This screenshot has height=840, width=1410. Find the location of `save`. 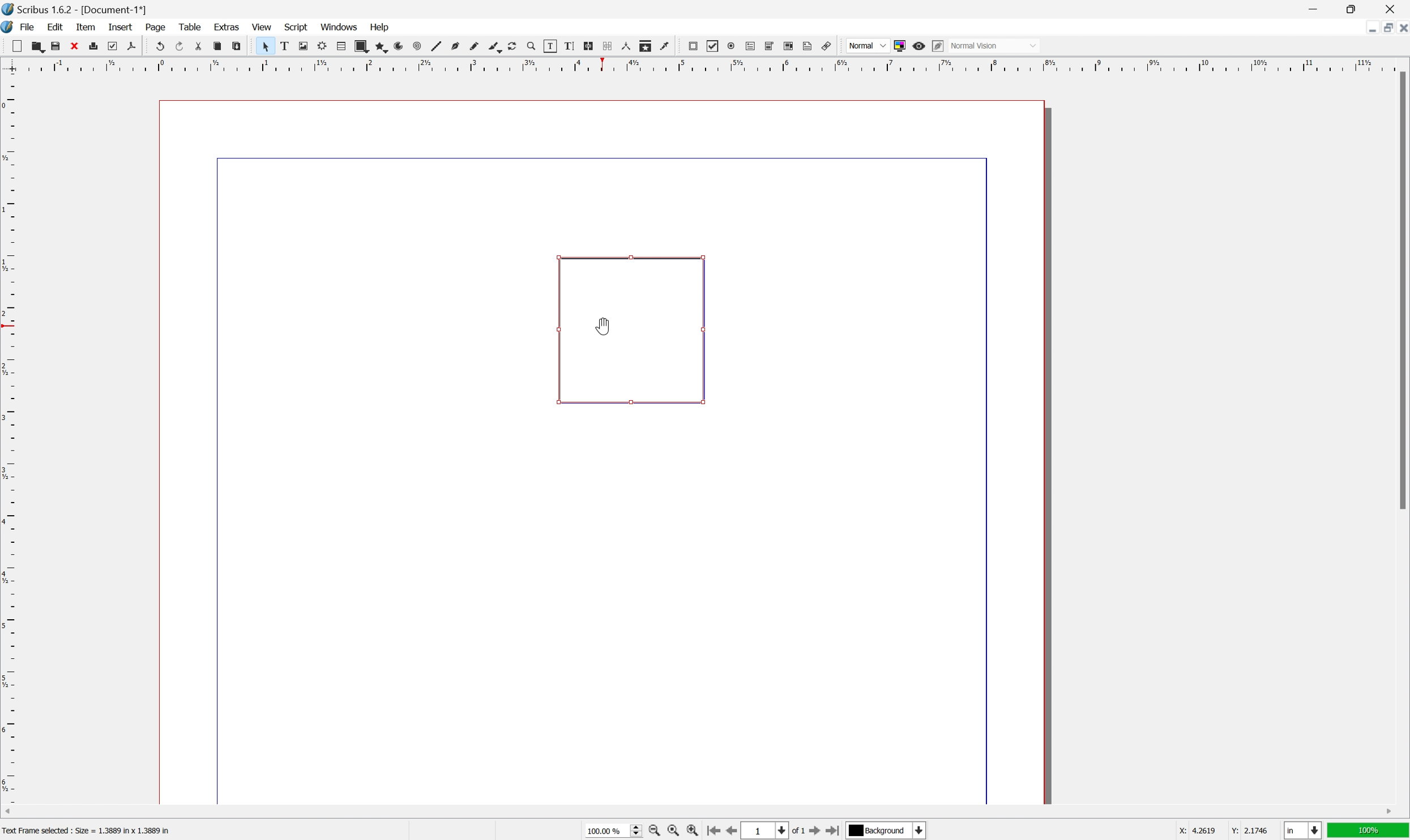

save is located at coordinates (56, 46).